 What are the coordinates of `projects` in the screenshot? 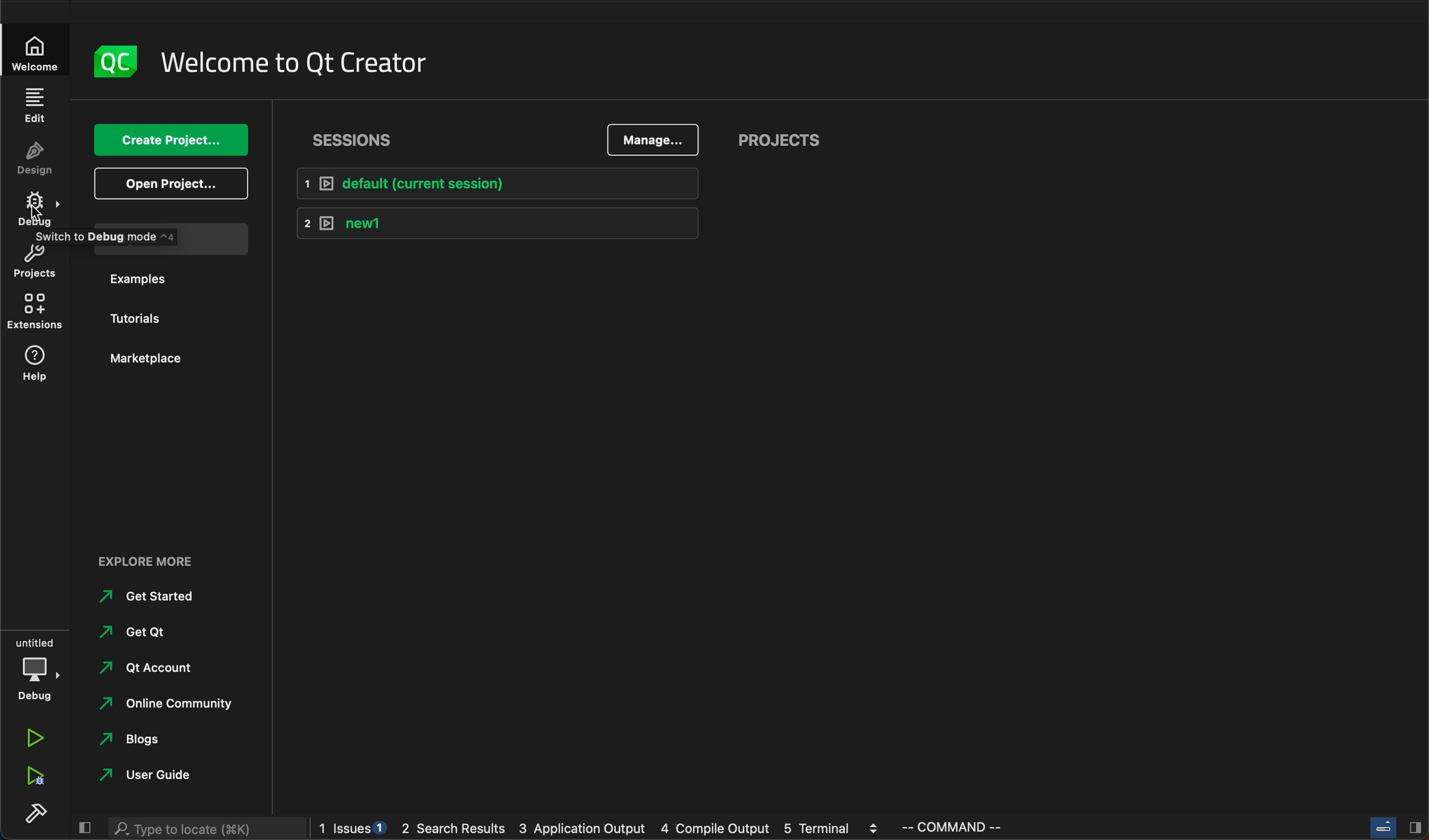 It's located at (137, 236).